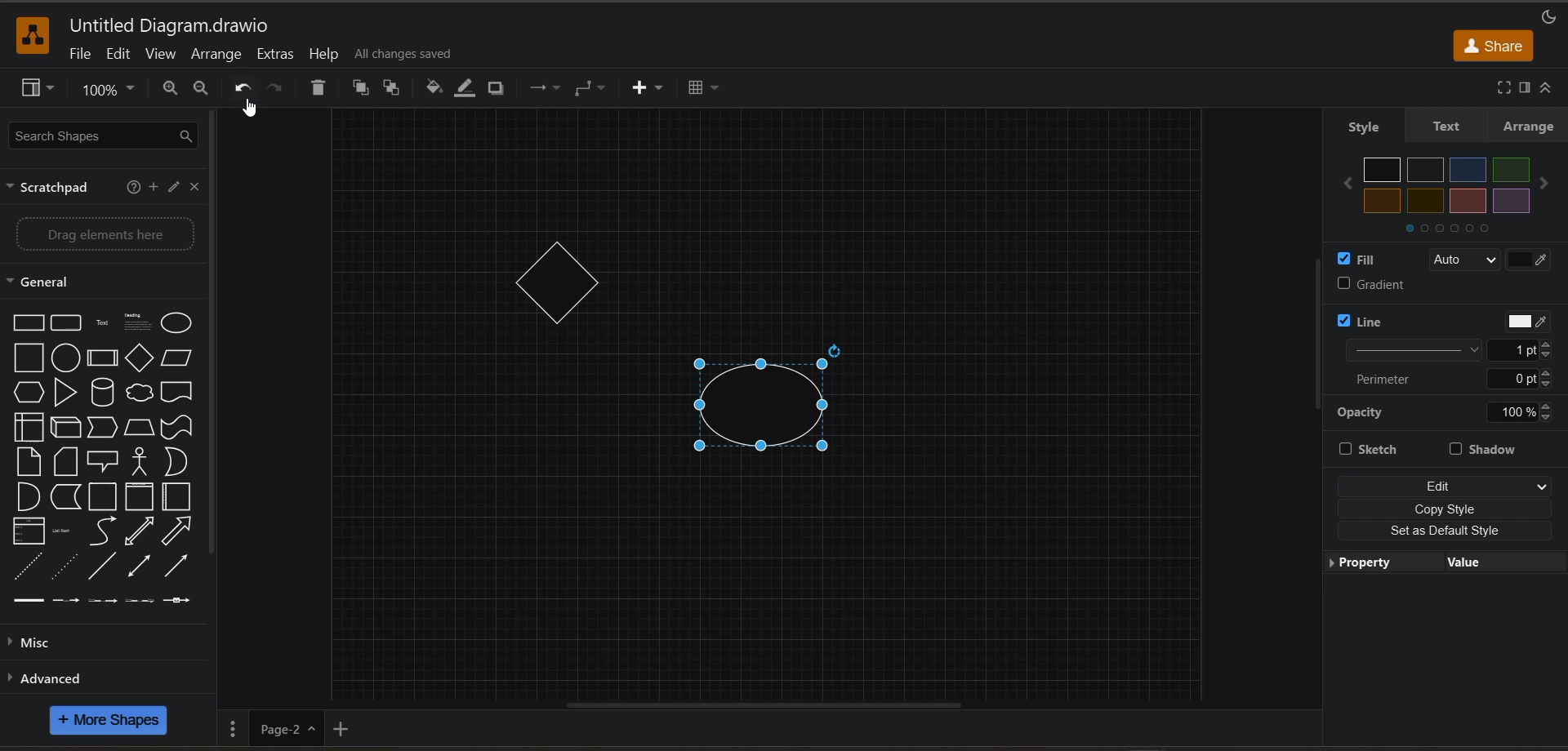 This screenshot has height=751, width=1568. Describe the element at coordinates (103, 137) in the screenshot. I see `search shapes` at that location.